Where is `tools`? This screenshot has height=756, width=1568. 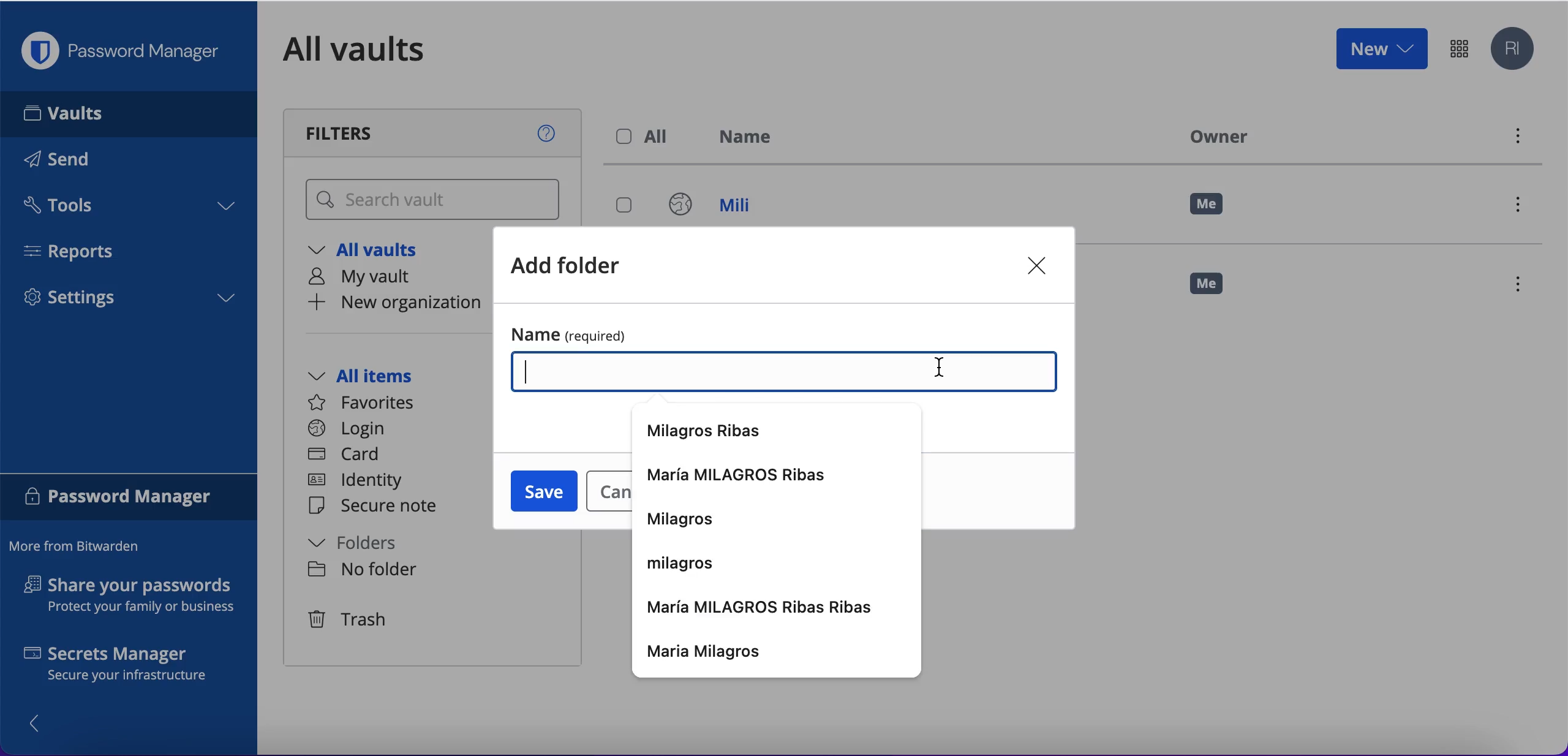
tools is located at coordinates (127, 209).